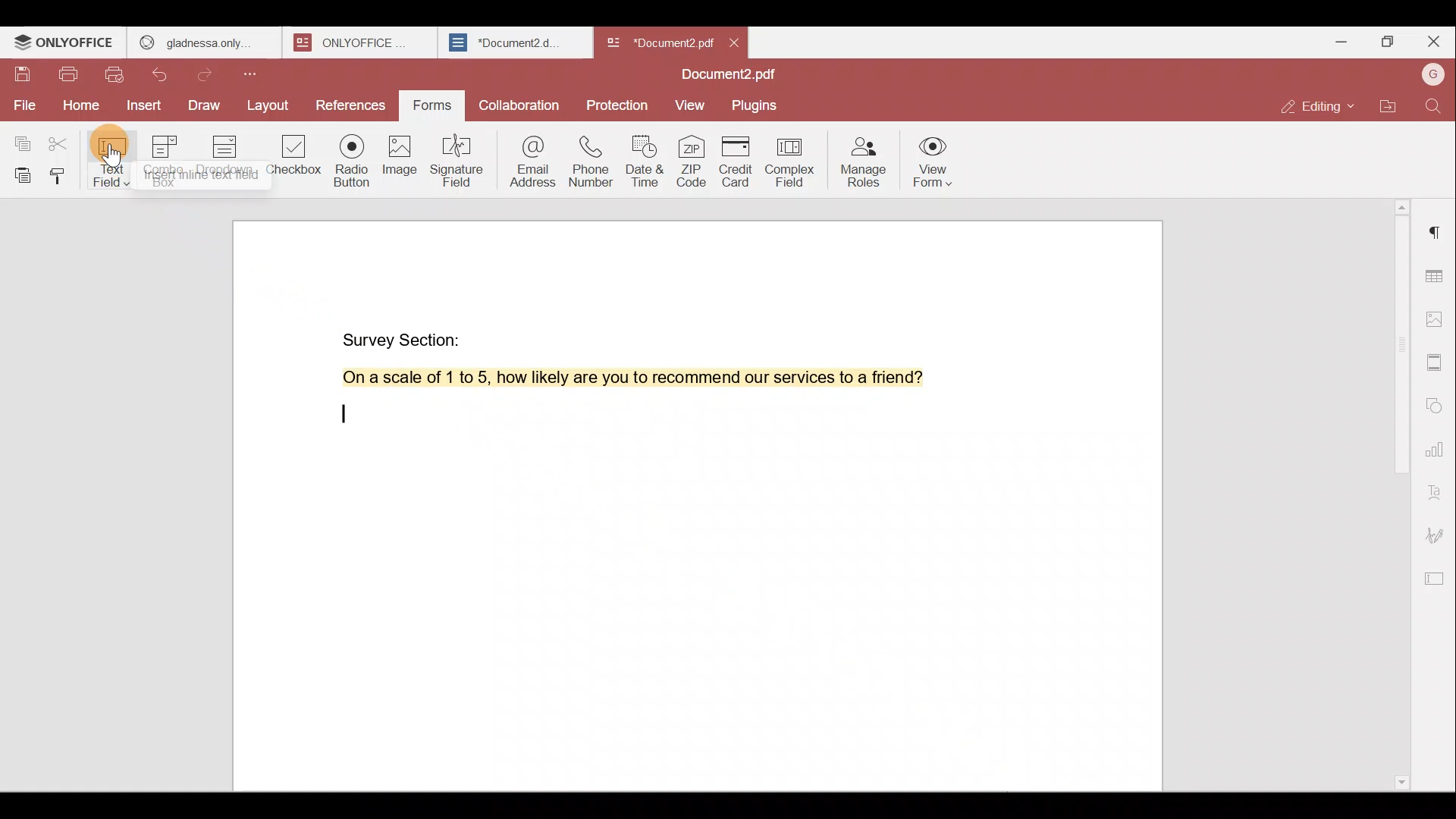  I want to click on Paragraph settings, so click(1437, 231).